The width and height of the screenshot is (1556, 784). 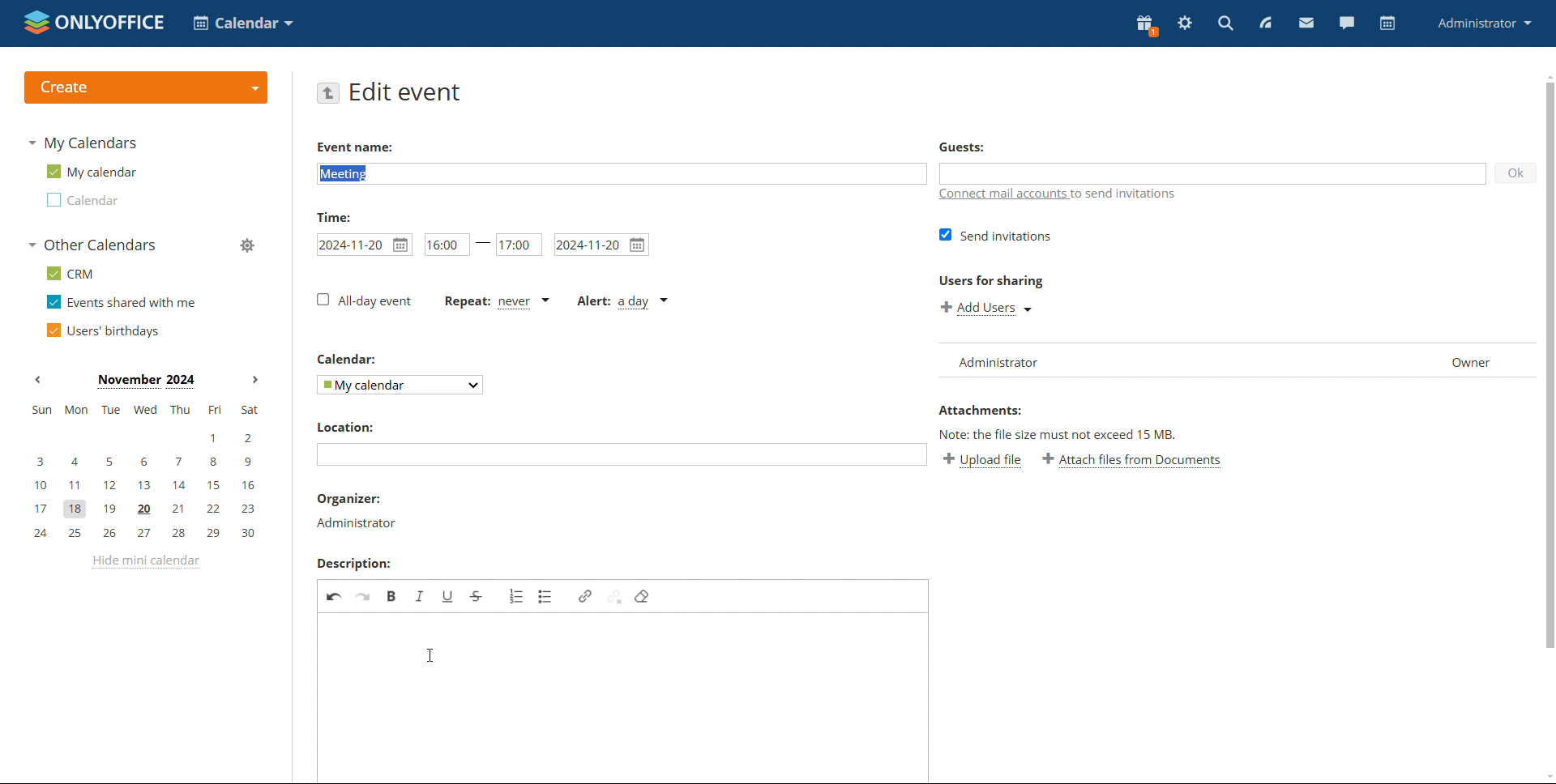 I want to click on settings, so click(x=1186, y=21).